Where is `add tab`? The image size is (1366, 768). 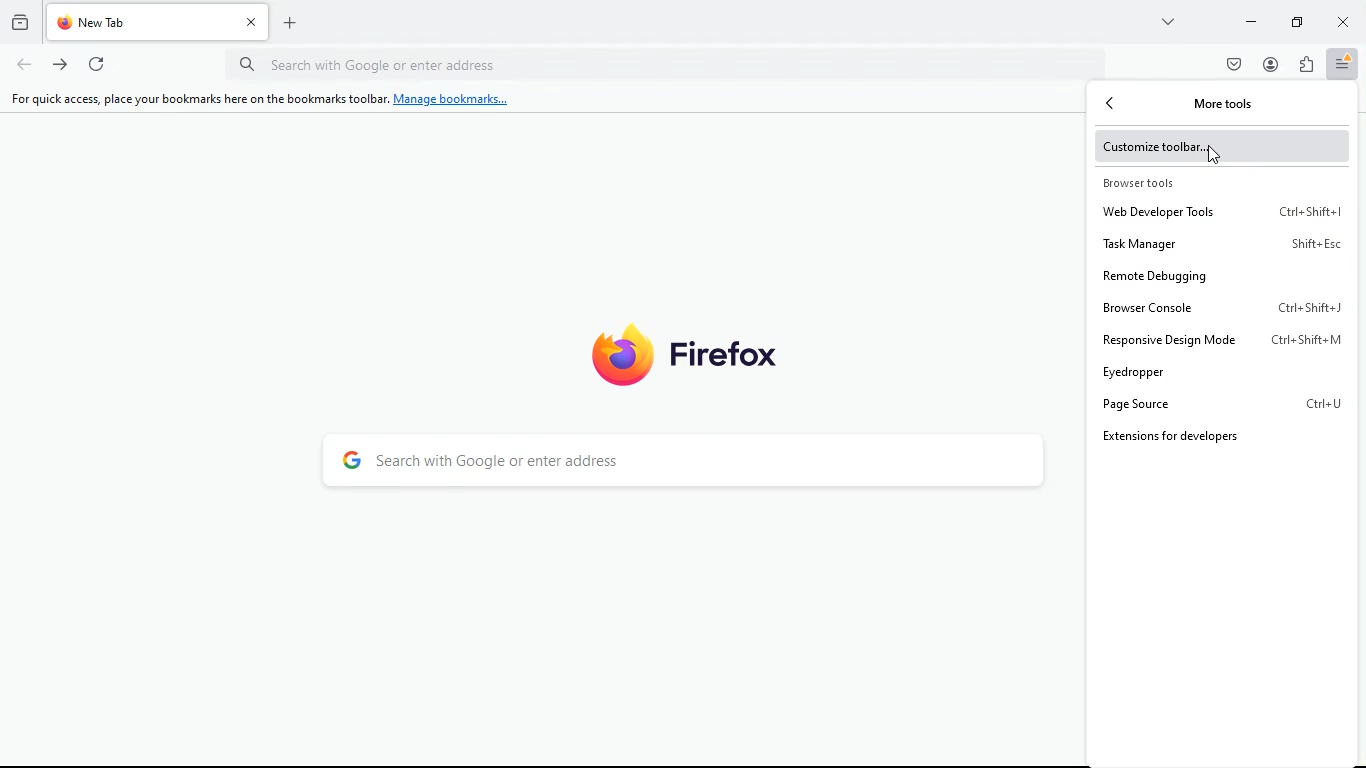
add tab is located at coordinates (291, 25).